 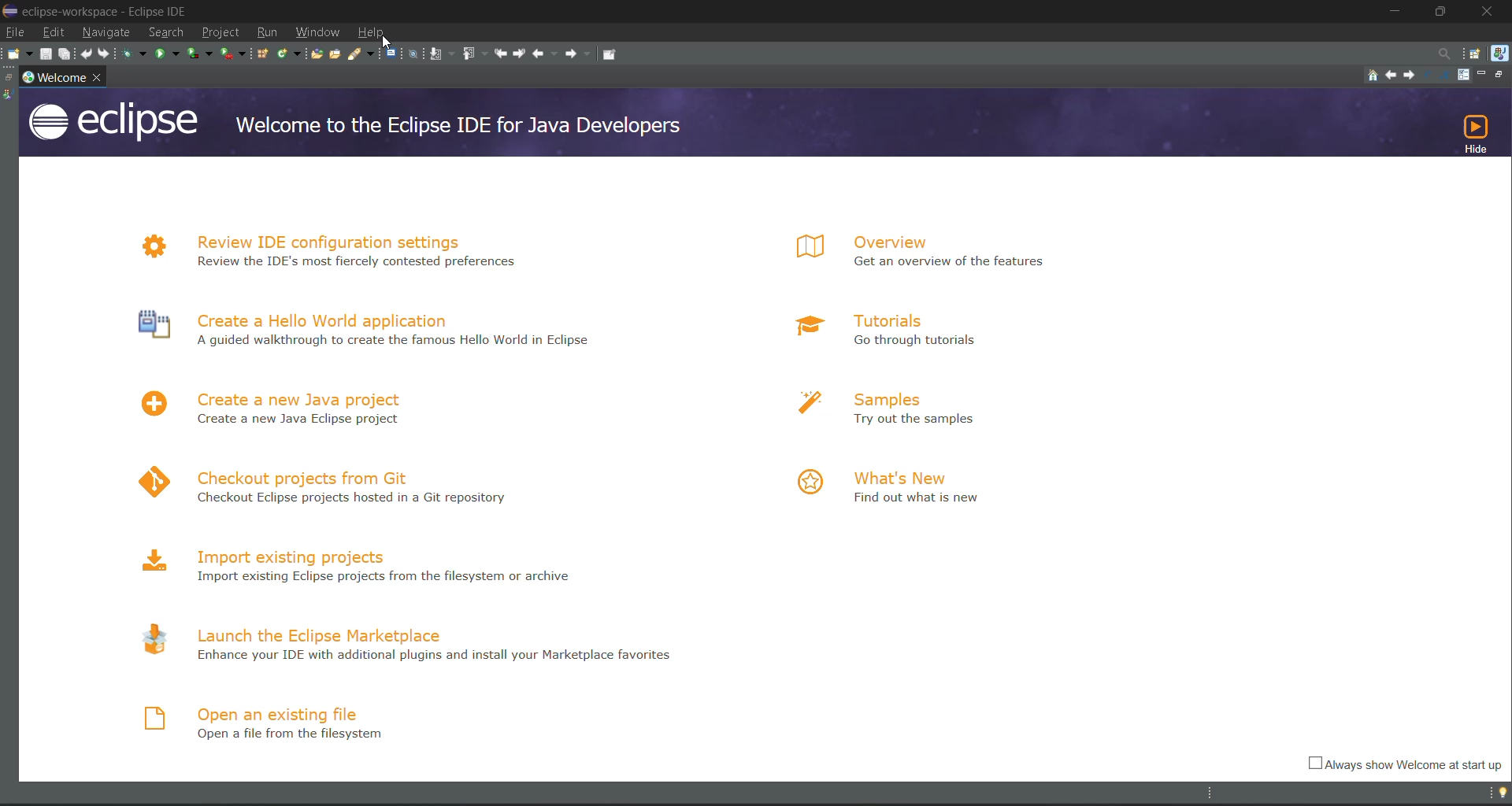 I want to click on navigate, so click(x=109, y=33).